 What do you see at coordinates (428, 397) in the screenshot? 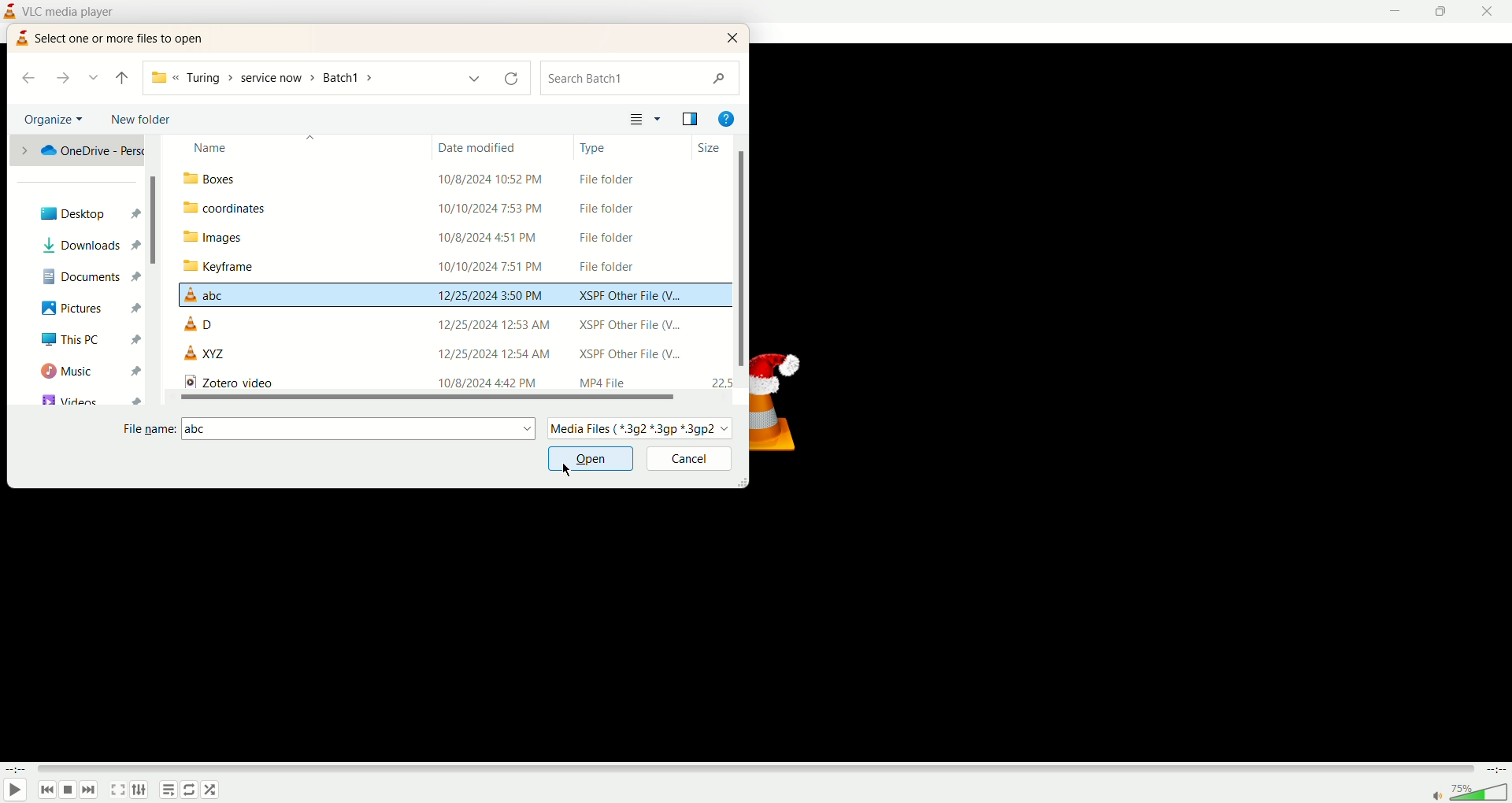
I see `horizontal scroll bar` at bounding box center [428, 397].